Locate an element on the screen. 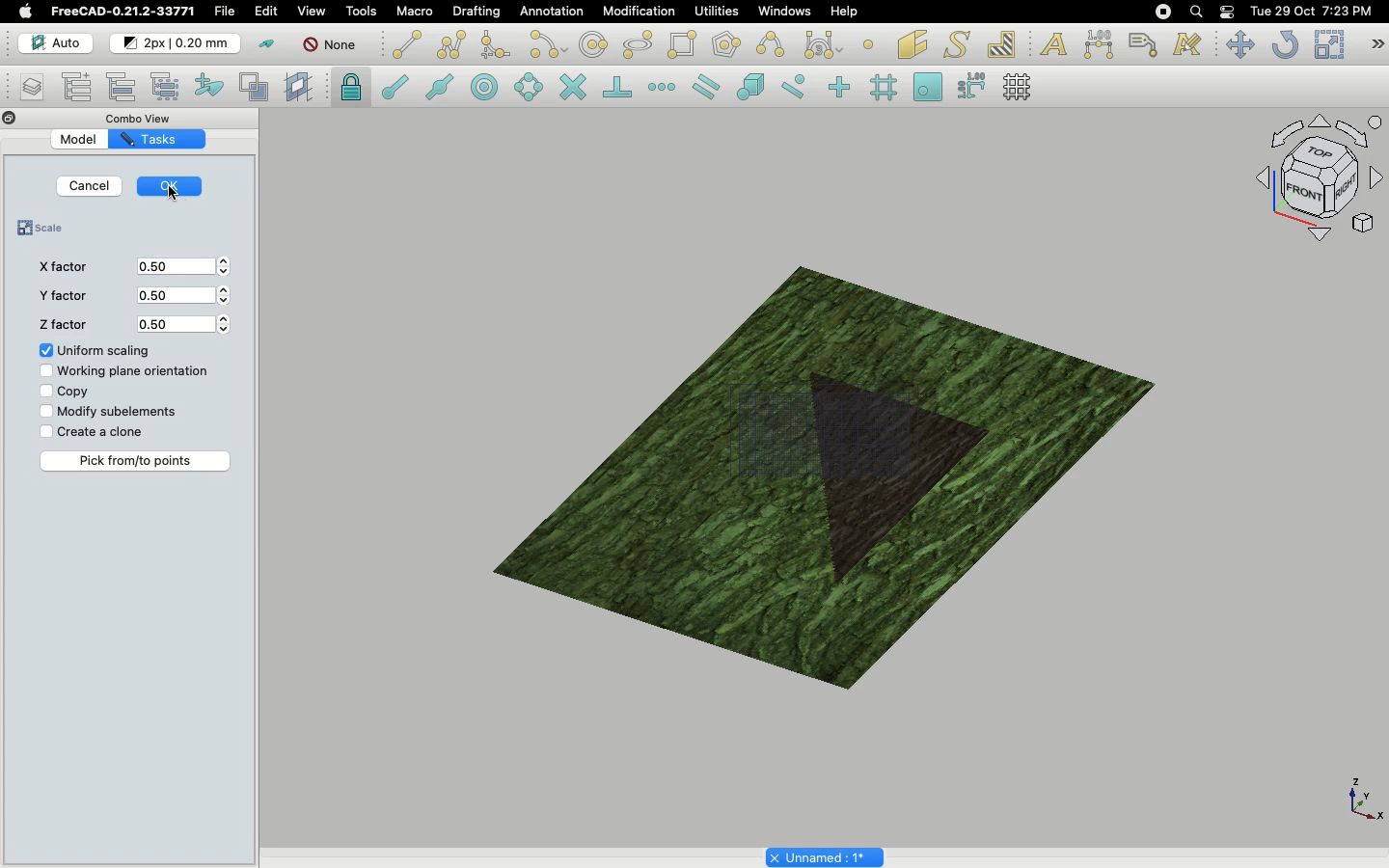 The height and width of the screenshot is (868, 1389). Change default style for new objects is located at coordinates (177, 43).